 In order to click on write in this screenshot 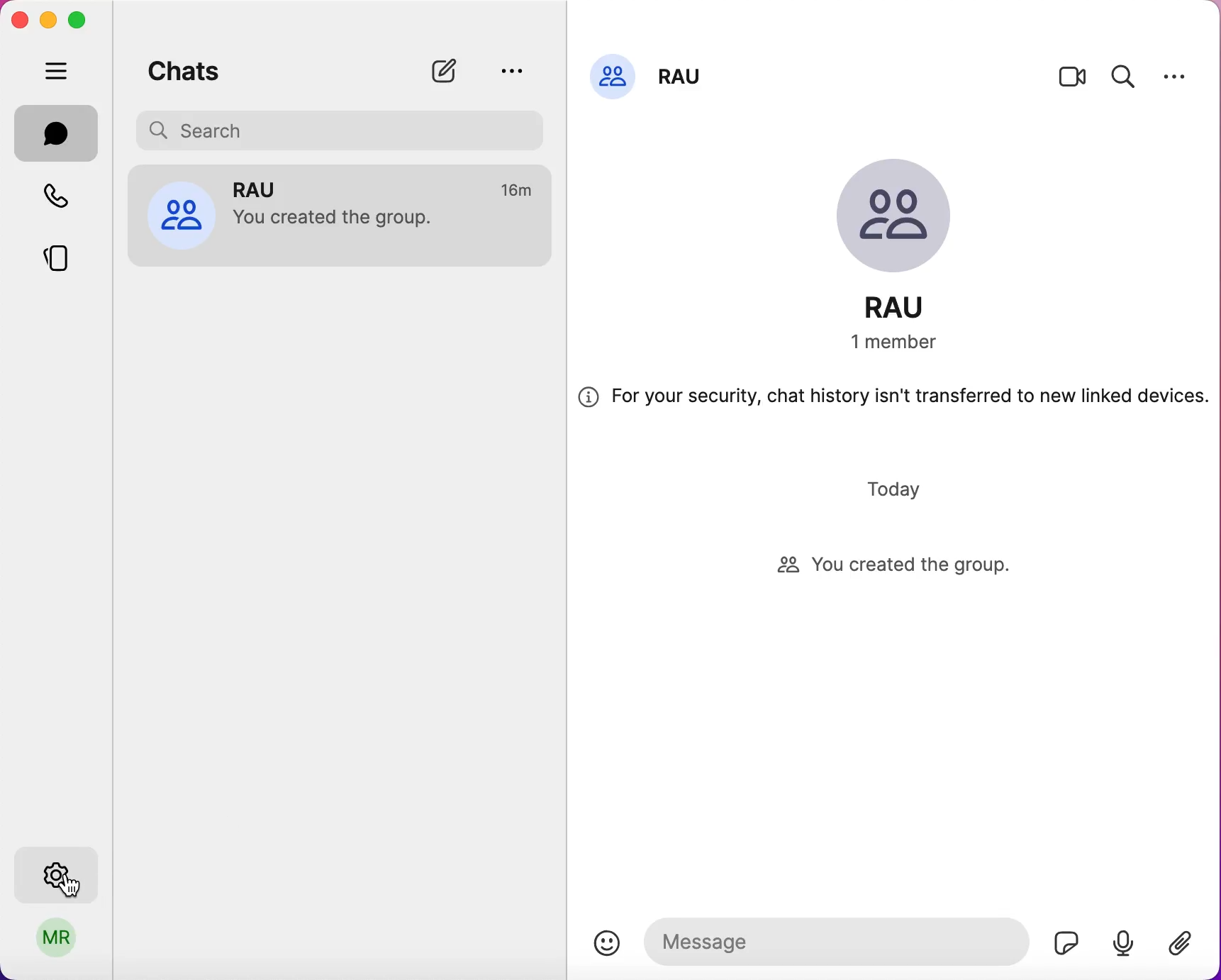, I will do `click(451, 71)`.